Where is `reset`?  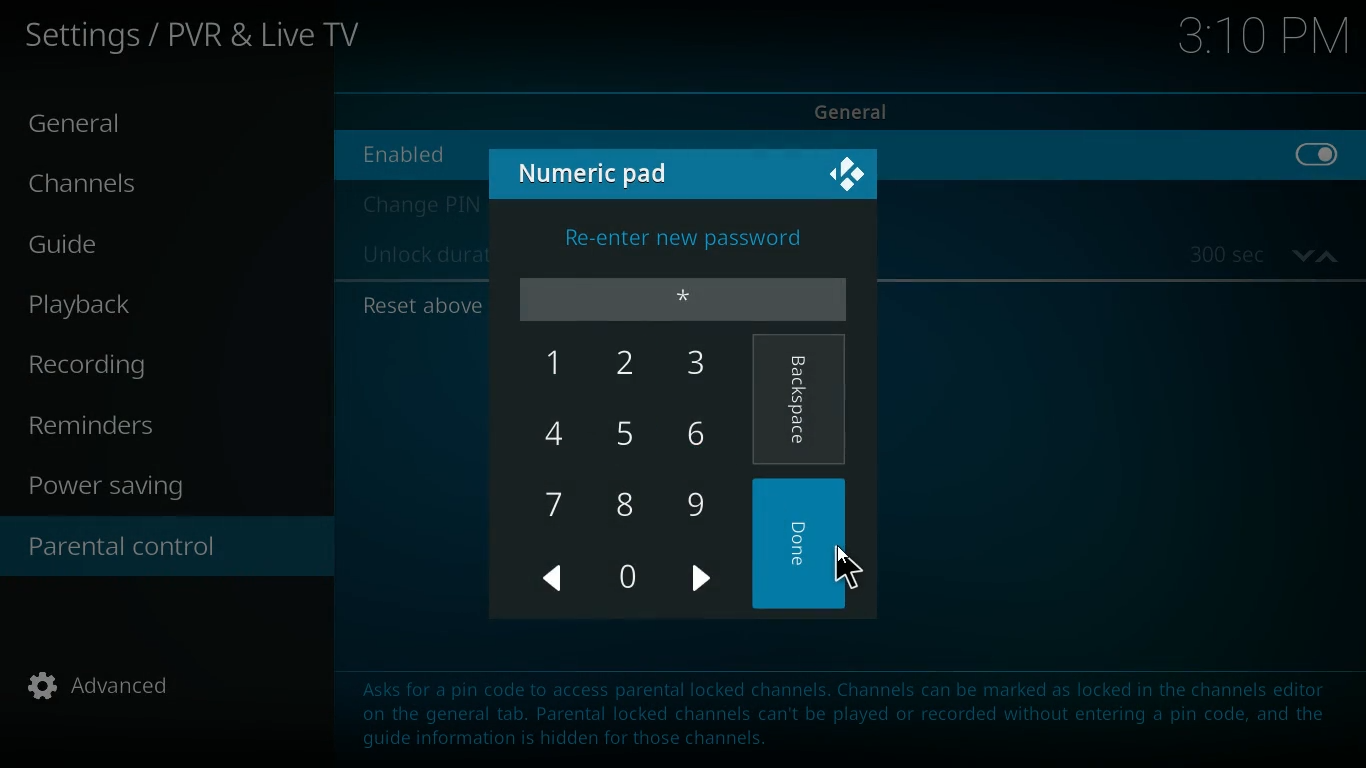 reset is located at coordinates (419, 306).